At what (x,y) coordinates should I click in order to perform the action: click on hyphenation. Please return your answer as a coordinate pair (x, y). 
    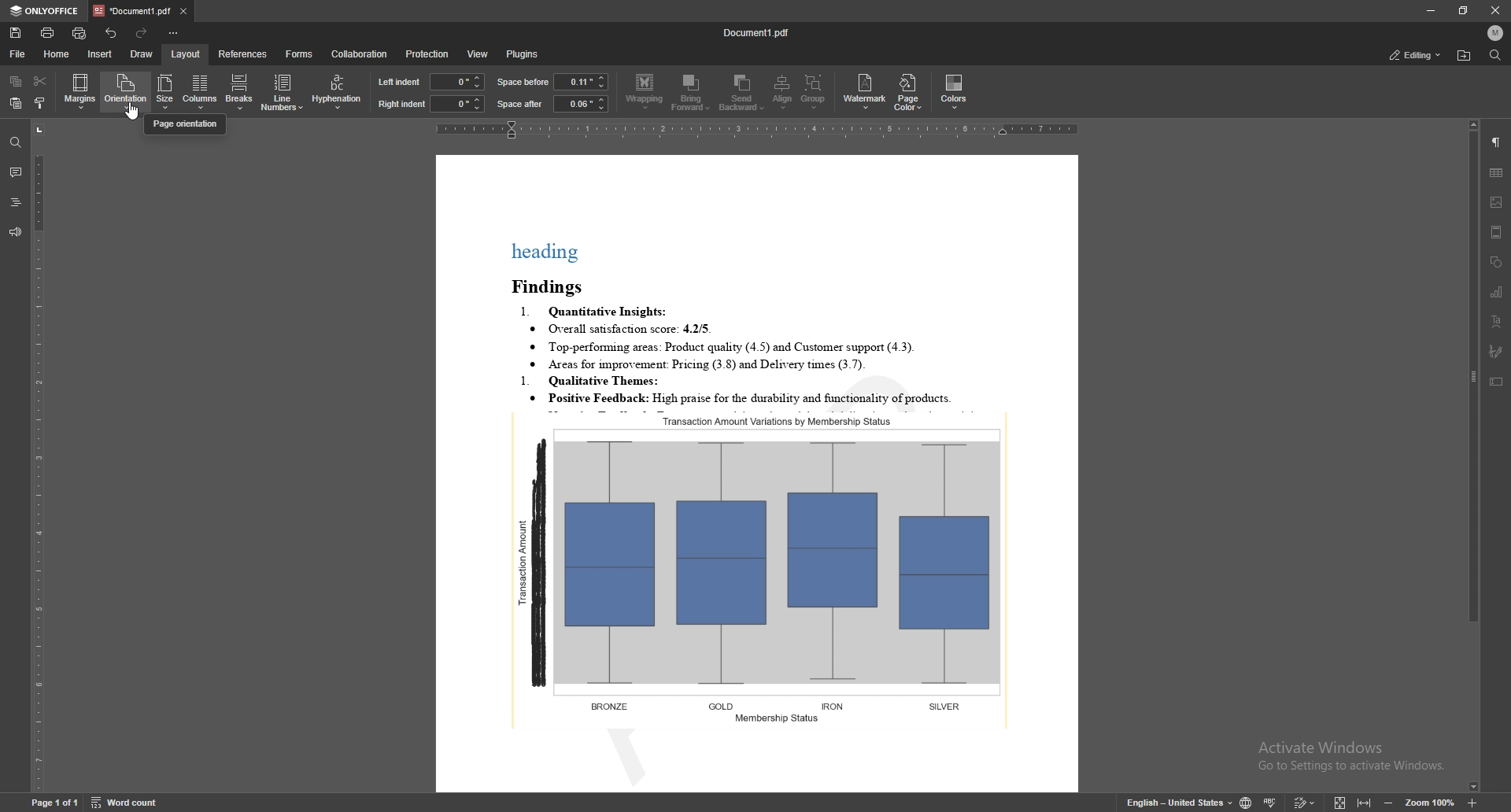
    Looking at the image, I should click on (338, 90).